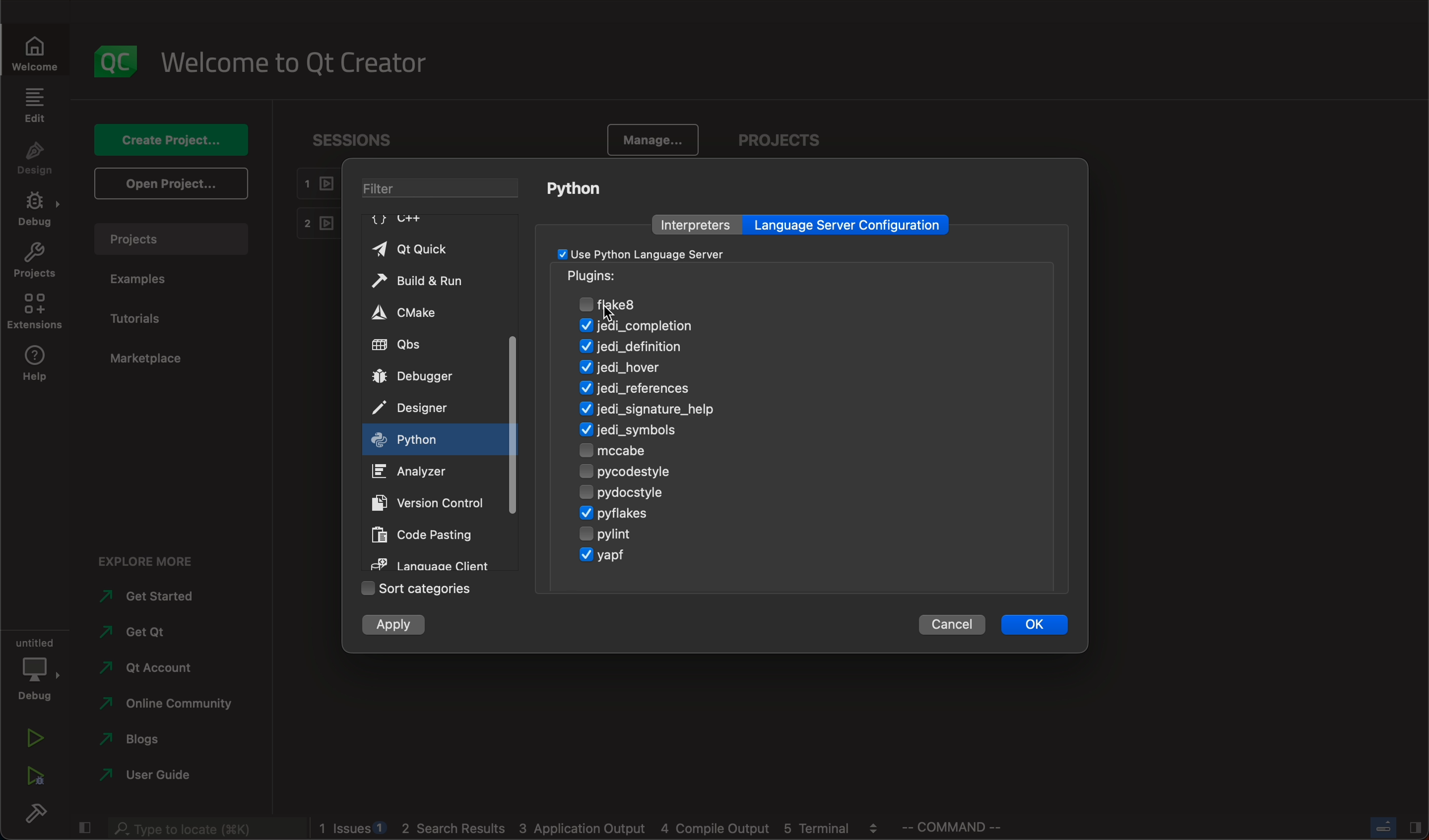 The width and height of the screenshot is (1429, 840). What do you see at coordinates (418, 588) in the screenshot?
I see `sort ` at bounding box center [418, 588].